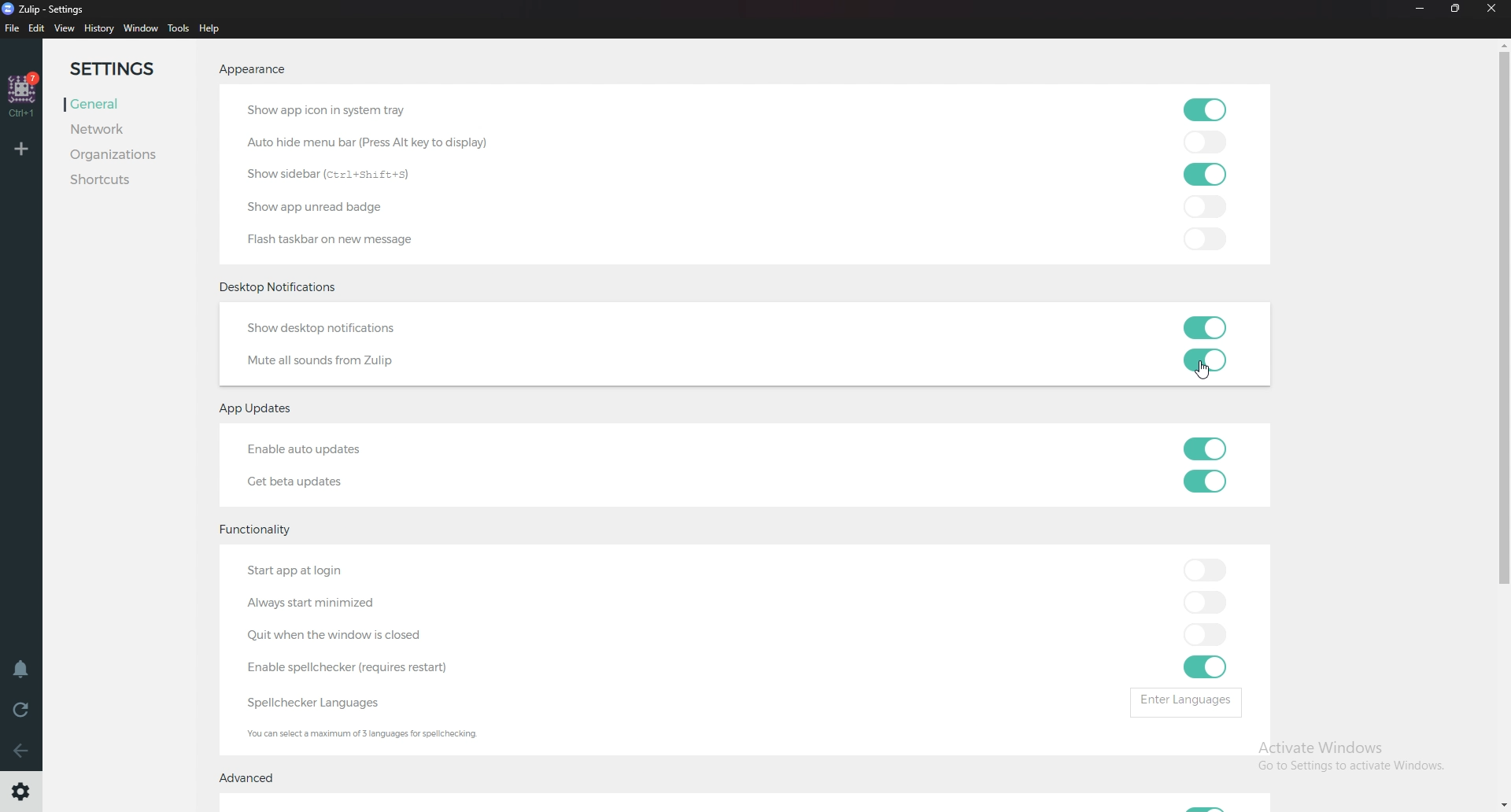 The width and height of the screenshot is (1511, 812). What do you see at coordinates (375, 665) in the screenshot?
I see `Enable Spell Checker` at bounding box center [375, 665].